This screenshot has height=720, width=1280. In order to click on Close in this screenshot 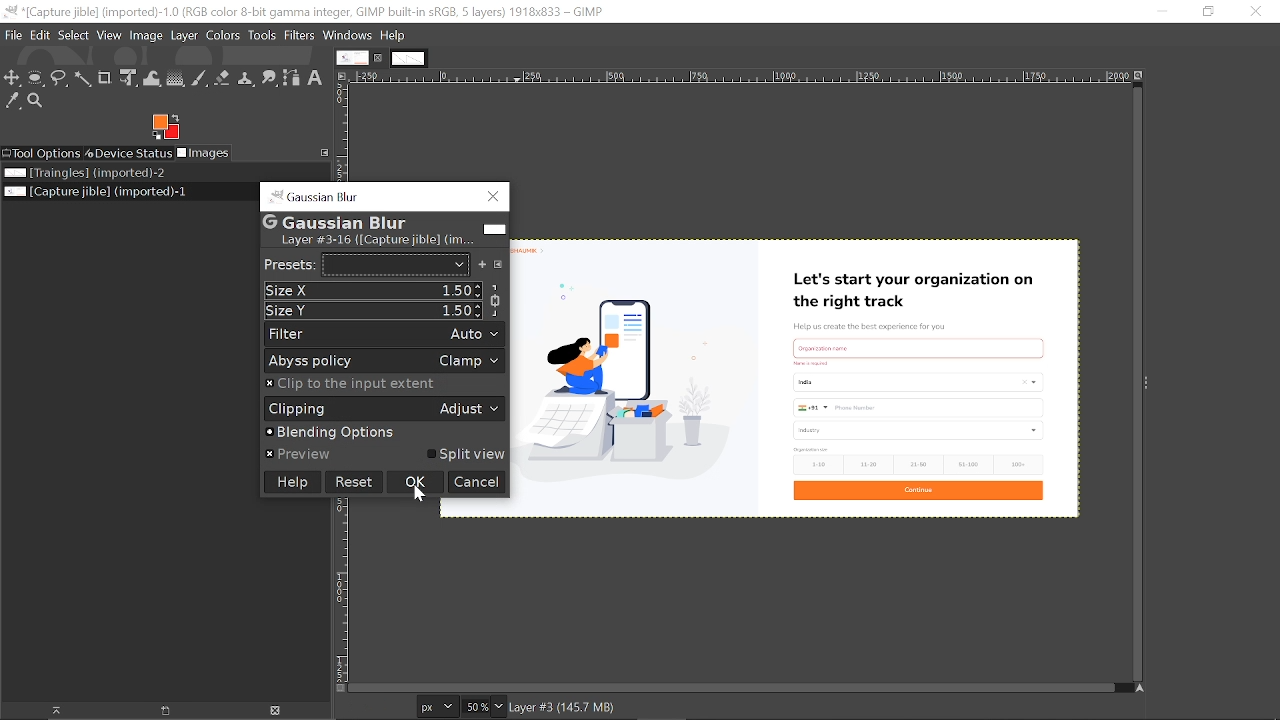, I will do `click(494, 196)`.